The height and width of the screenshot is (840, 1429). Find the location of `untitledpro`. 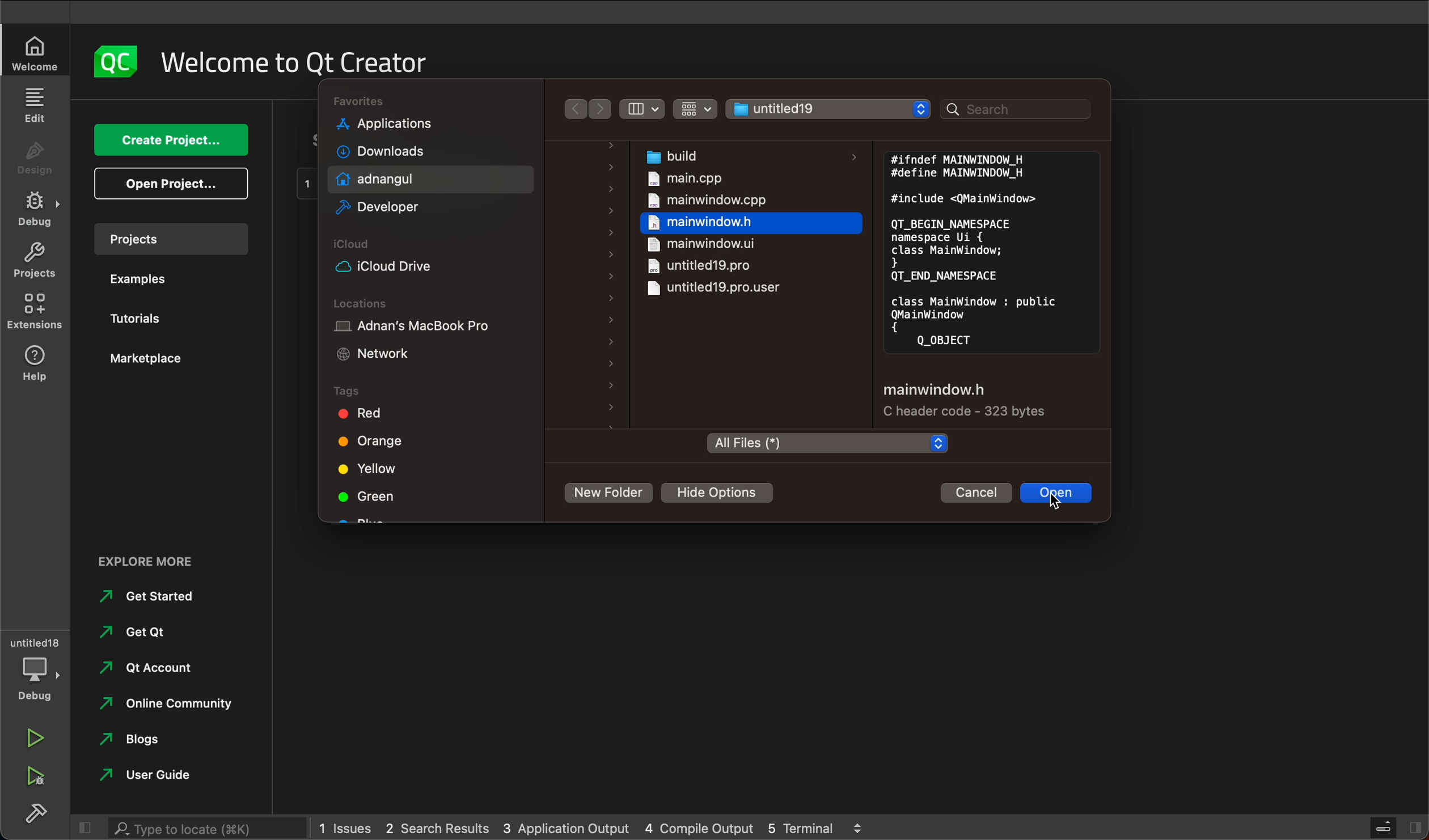

untitledpro is located at coordinates (708, 267).